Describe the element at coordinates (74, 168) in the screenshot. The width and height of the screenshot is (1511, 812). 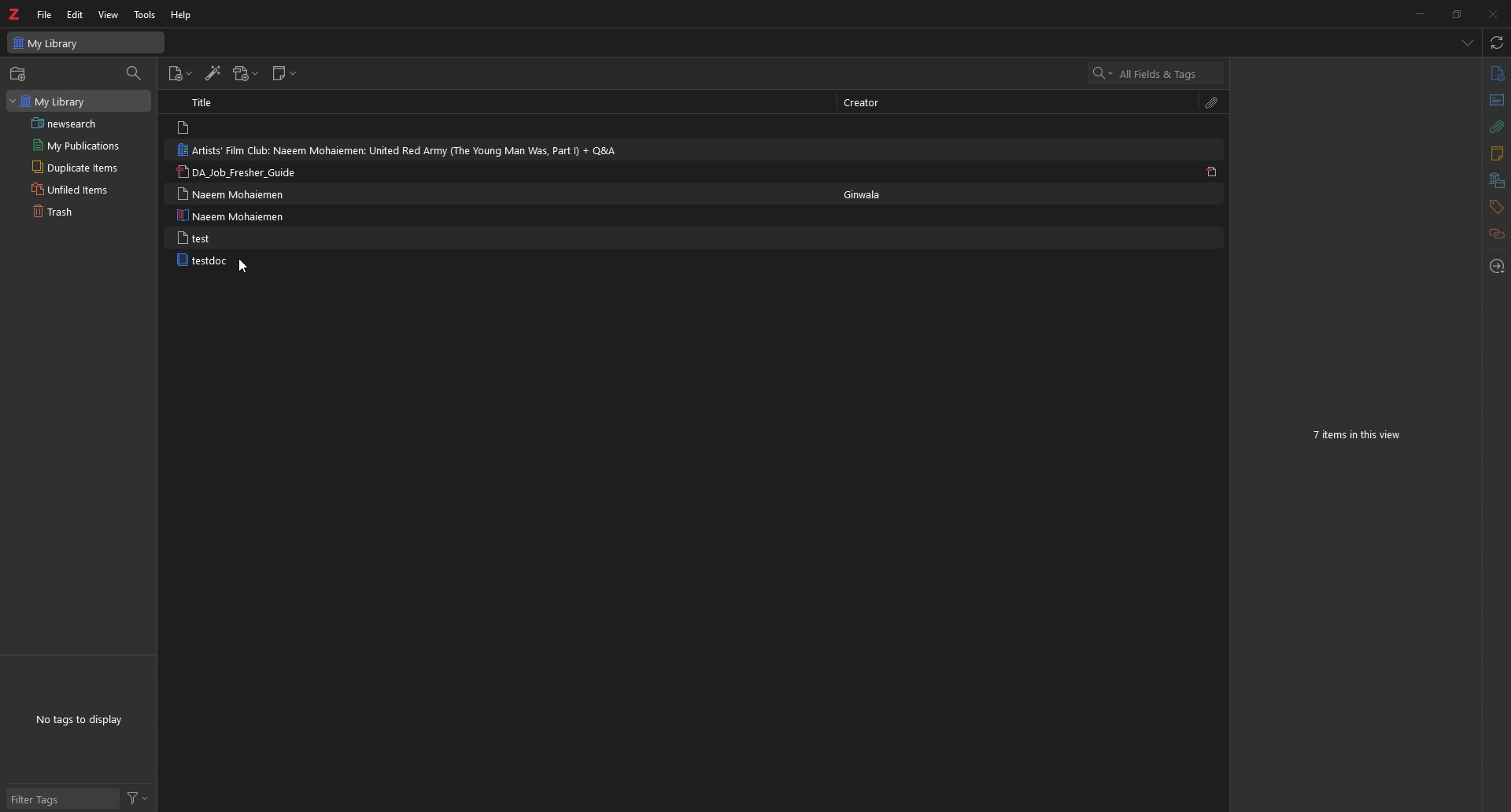
I see `Duplicate Items` at that location.